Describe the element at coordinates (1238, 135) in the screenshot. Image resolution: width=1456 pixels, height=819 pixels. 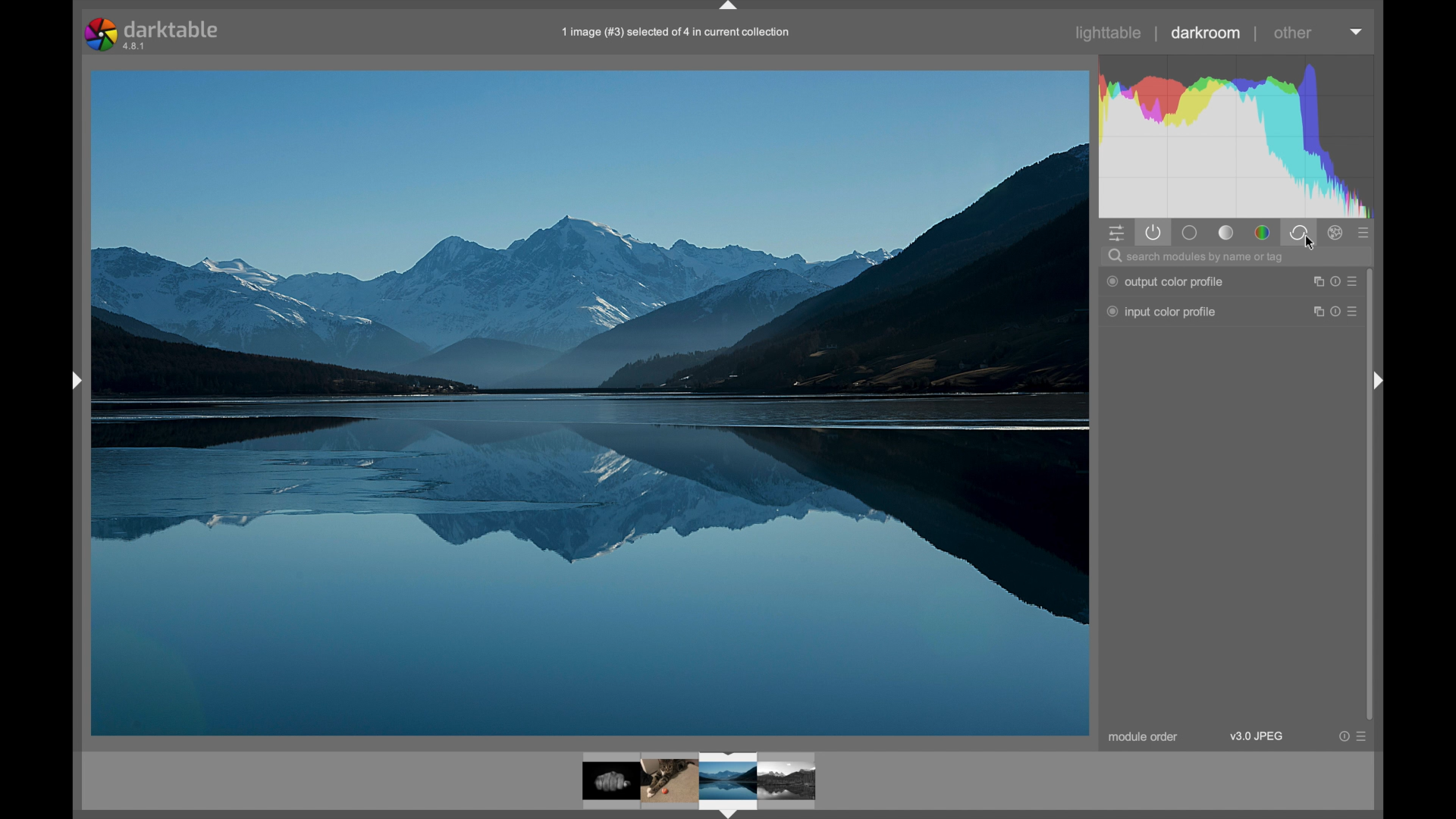
I see `histogram` at that location.